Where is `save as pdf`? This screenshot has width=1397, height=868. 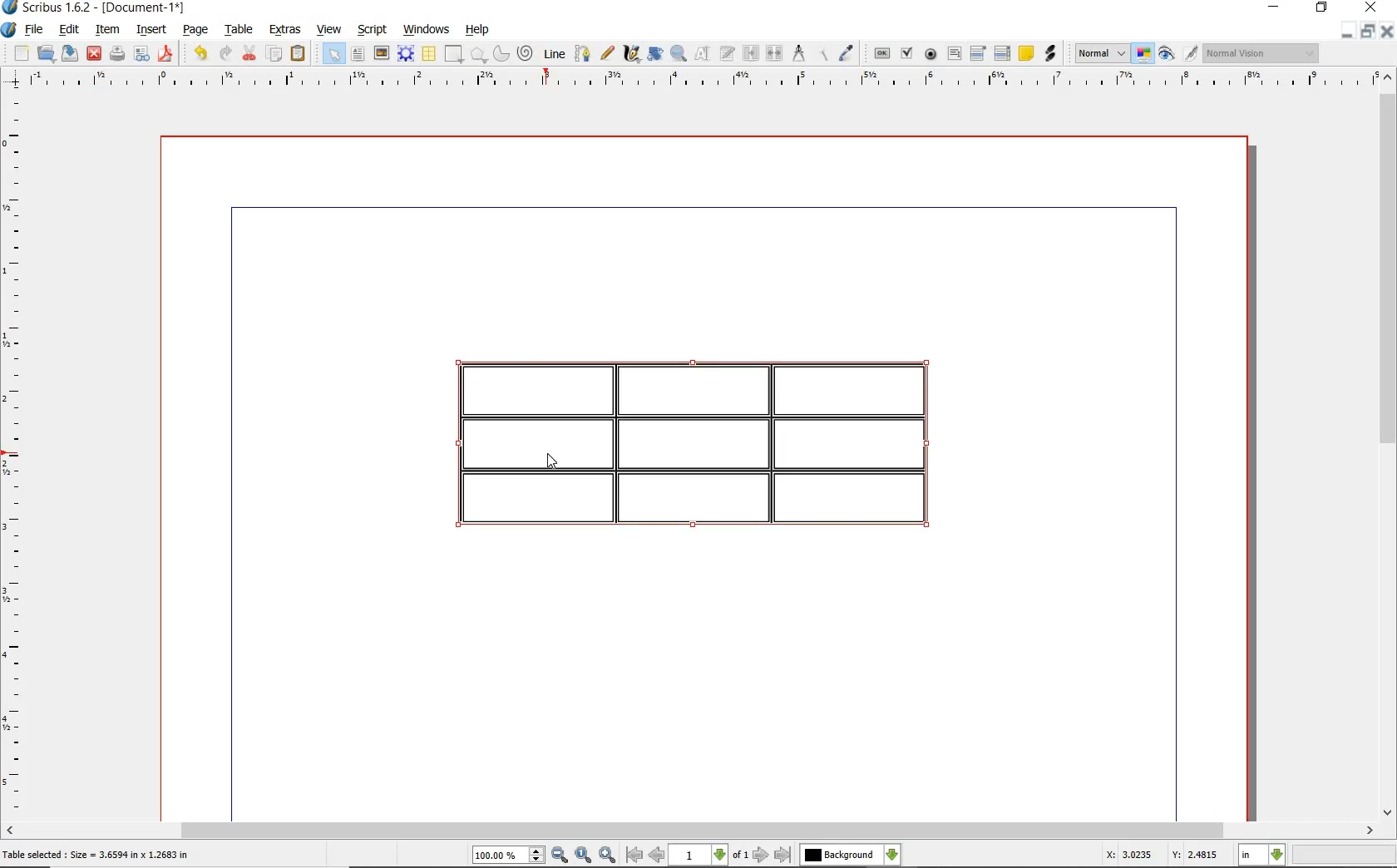 save as pdf is located at coordinates (167, 55).